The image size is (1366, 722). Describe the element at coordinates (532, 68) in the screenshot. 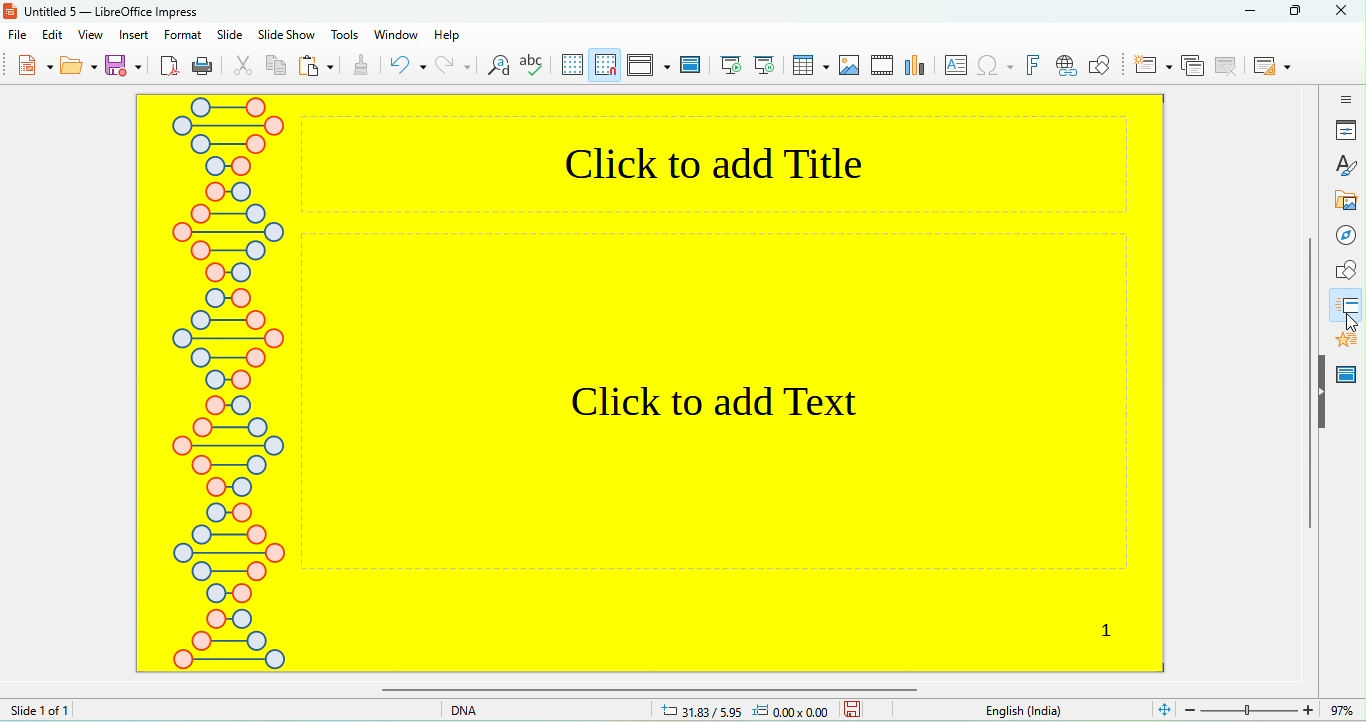

I see `spelling` at that location.